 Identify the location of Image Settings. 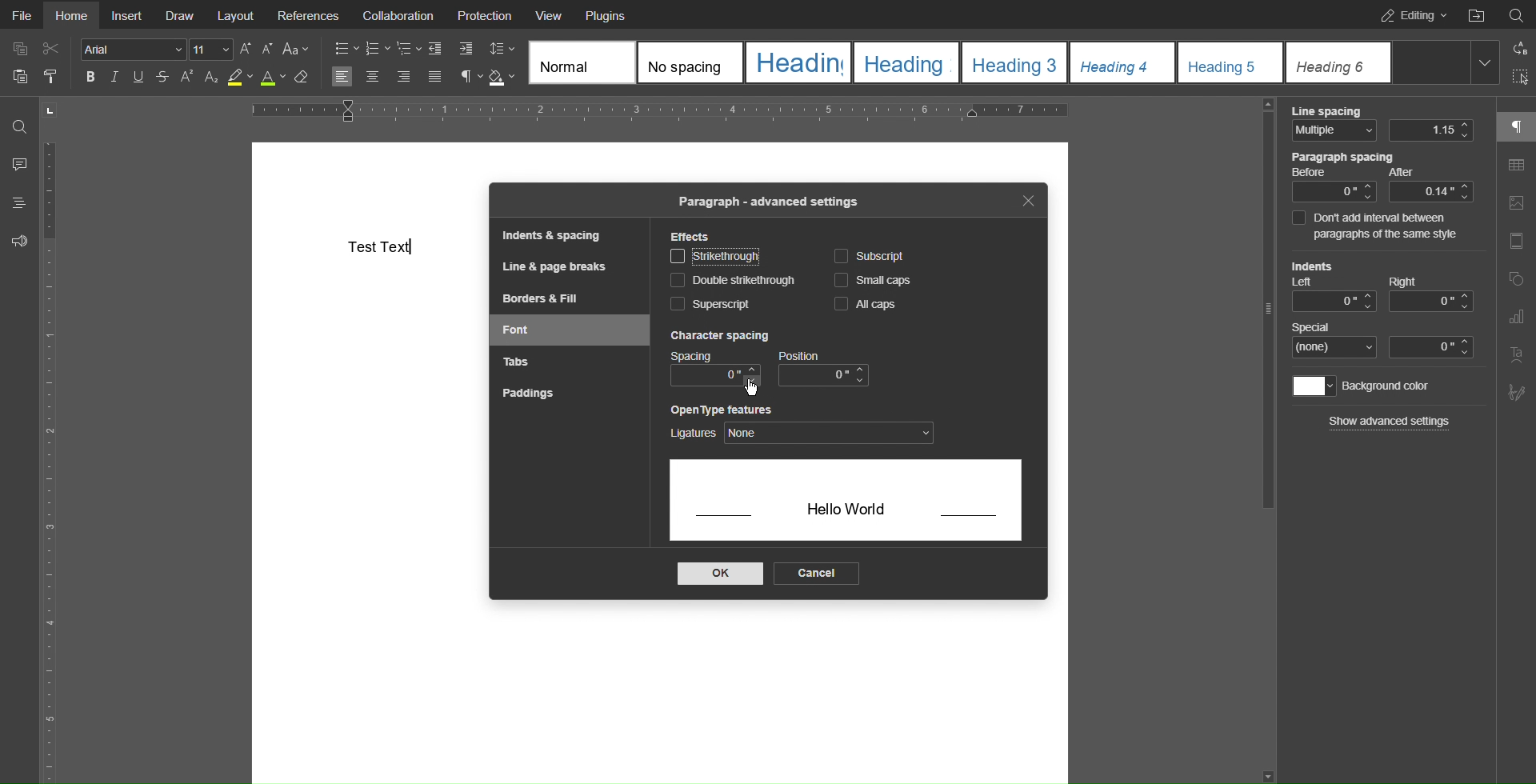
(1515, 206).